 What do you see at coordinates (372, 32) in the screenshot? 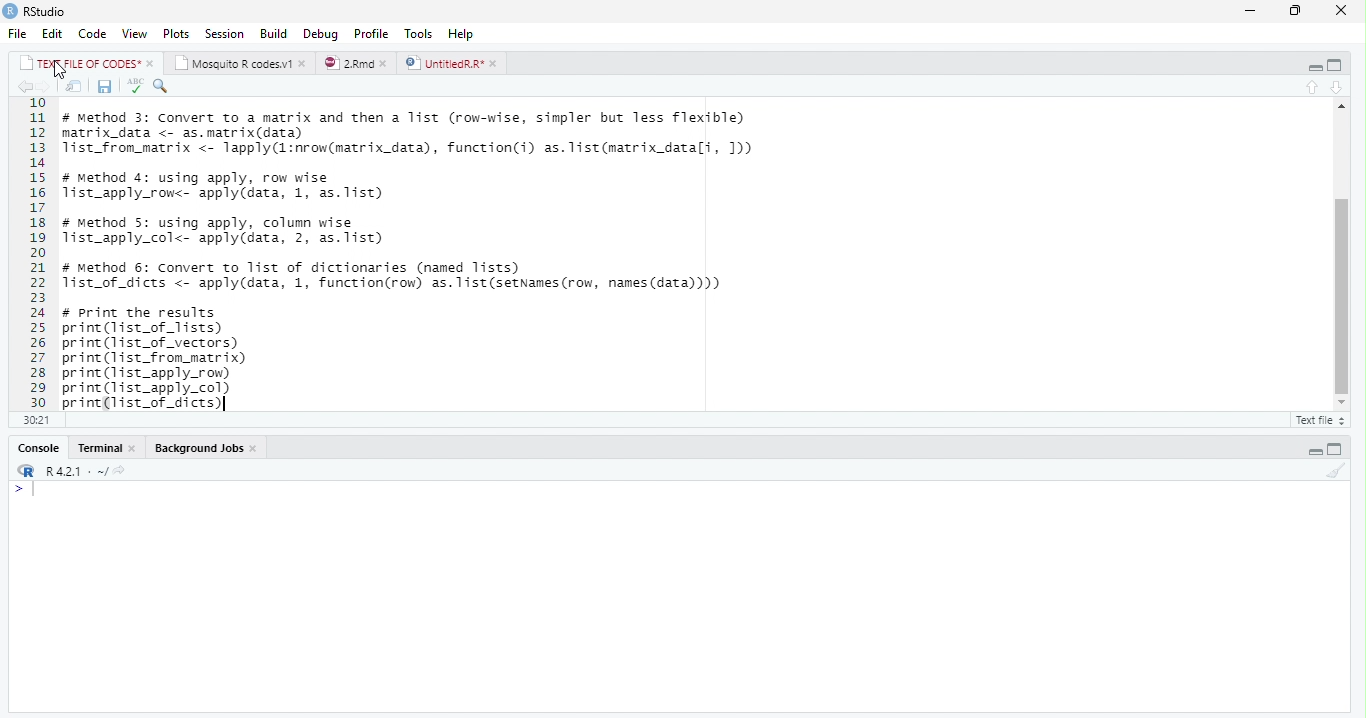
I see `Profile` at bounding box center [372, 32].